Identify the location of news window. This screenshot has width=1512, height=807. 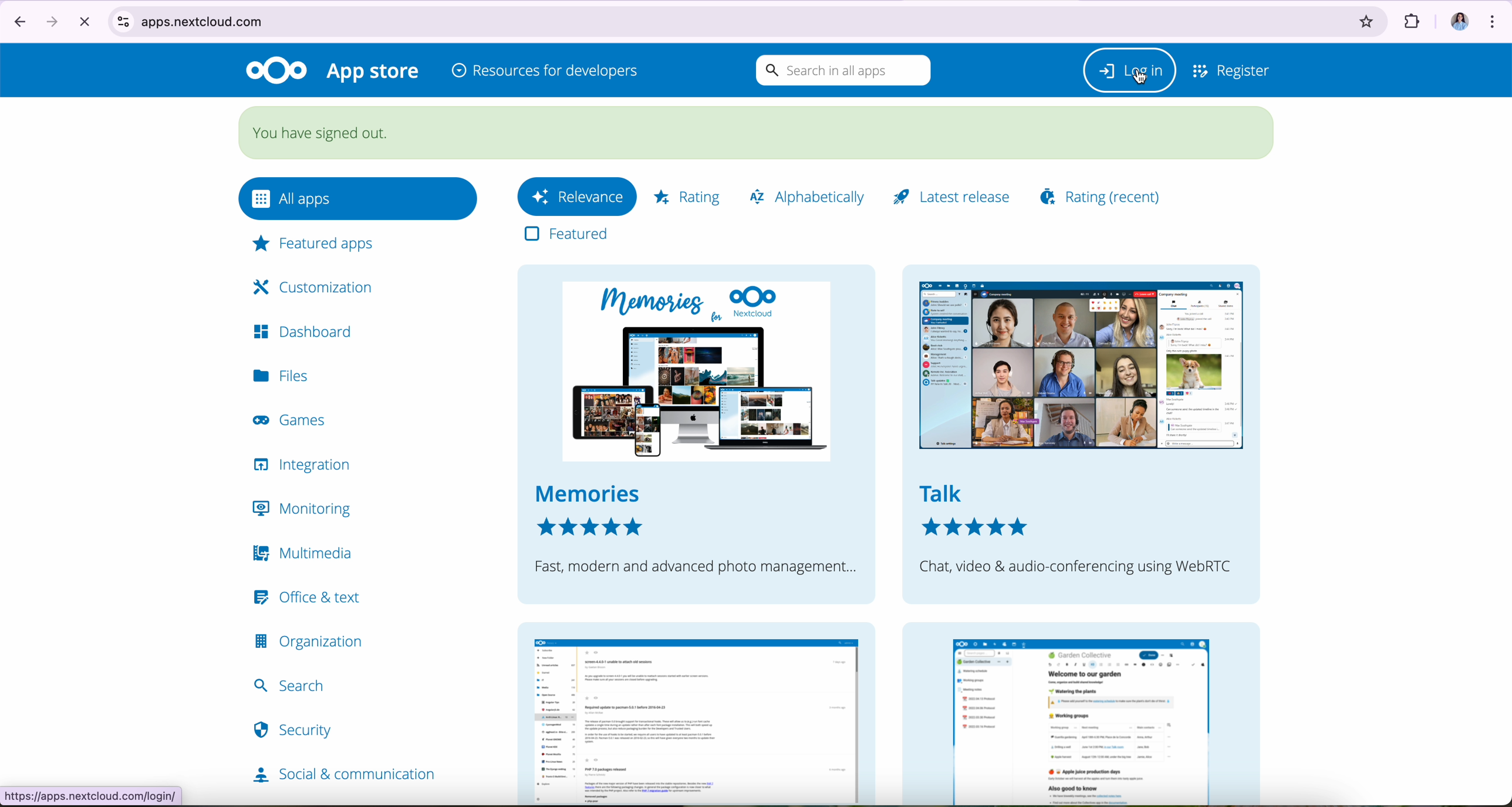
(694, 715).